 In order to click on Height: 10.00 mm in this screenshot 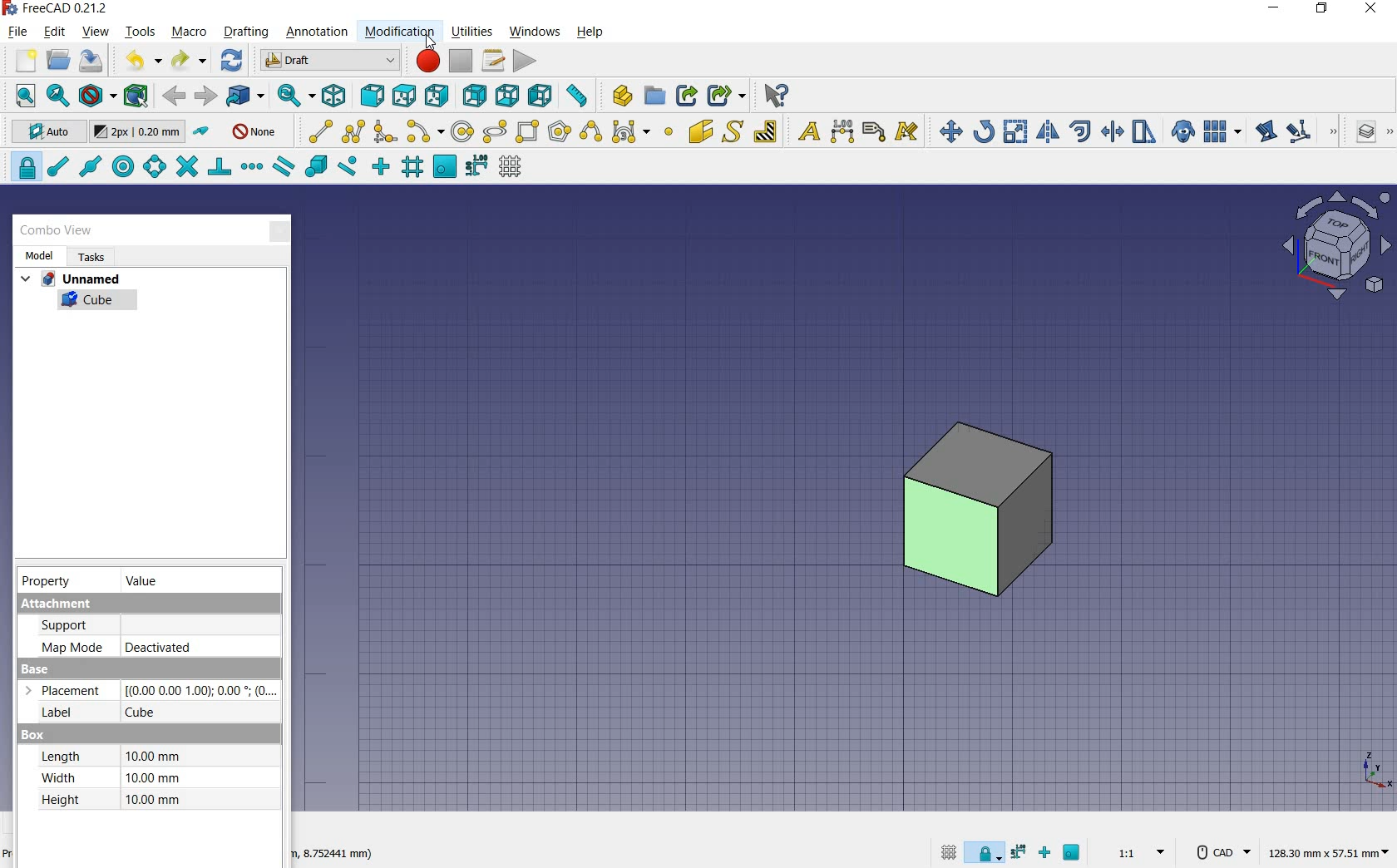, I will do `click(113, 800)`.